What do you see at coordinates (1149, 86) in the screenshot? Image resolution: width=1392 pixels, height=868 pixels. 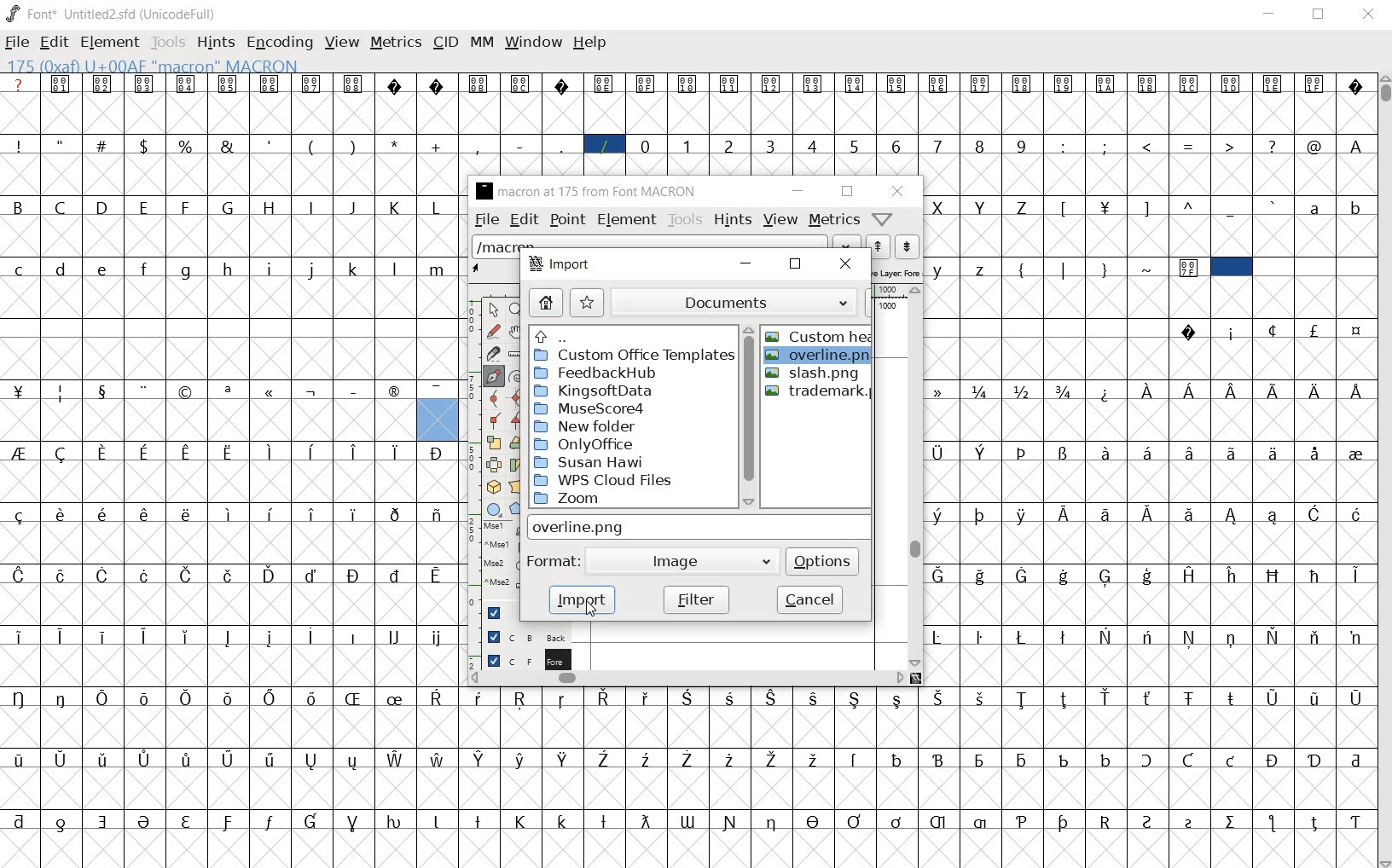 I see `Symbol` at bounding box center [1149, 86].